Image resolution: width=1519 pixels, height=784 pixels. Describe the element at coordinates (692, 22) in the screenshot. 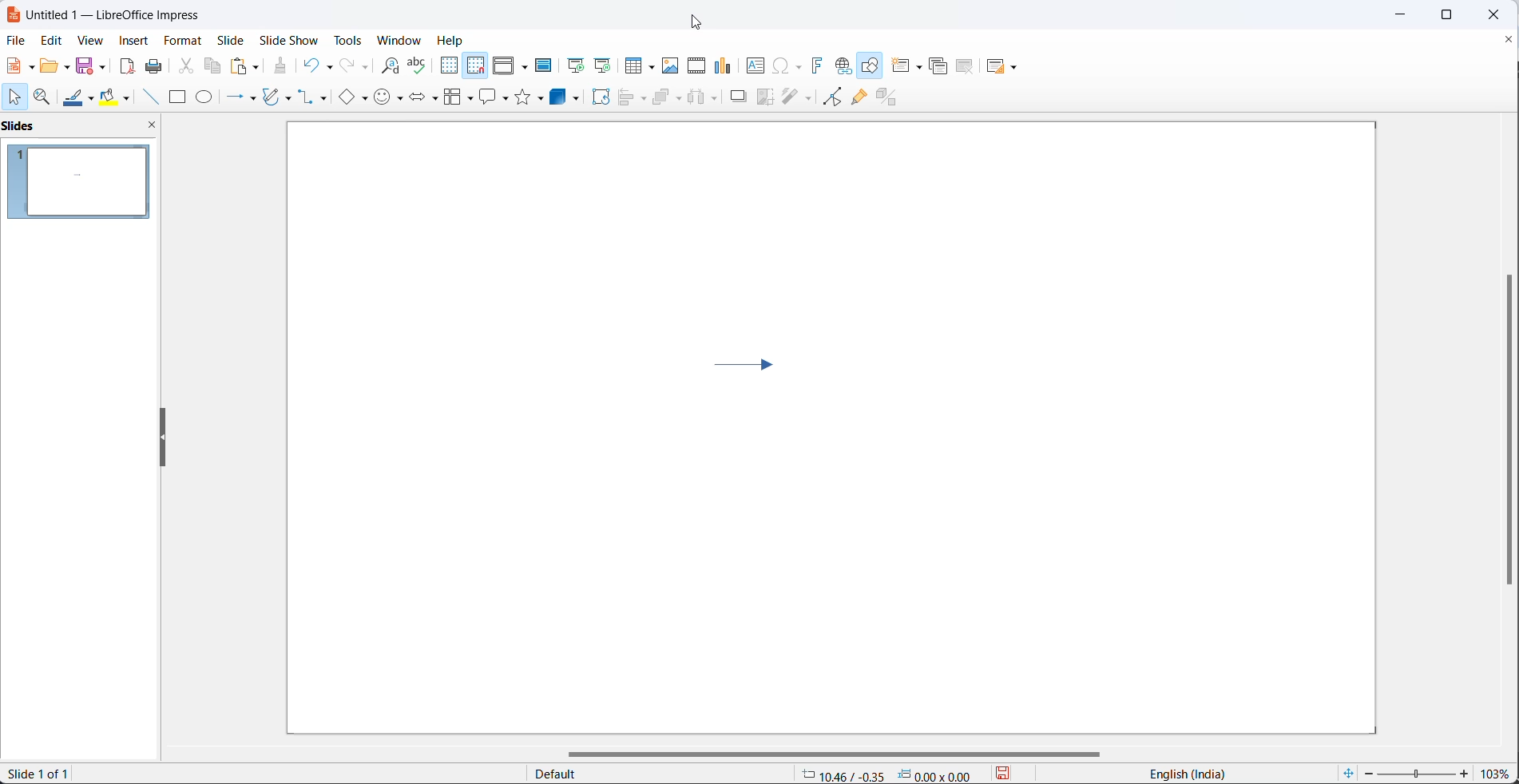

I see `cursor` at that location.